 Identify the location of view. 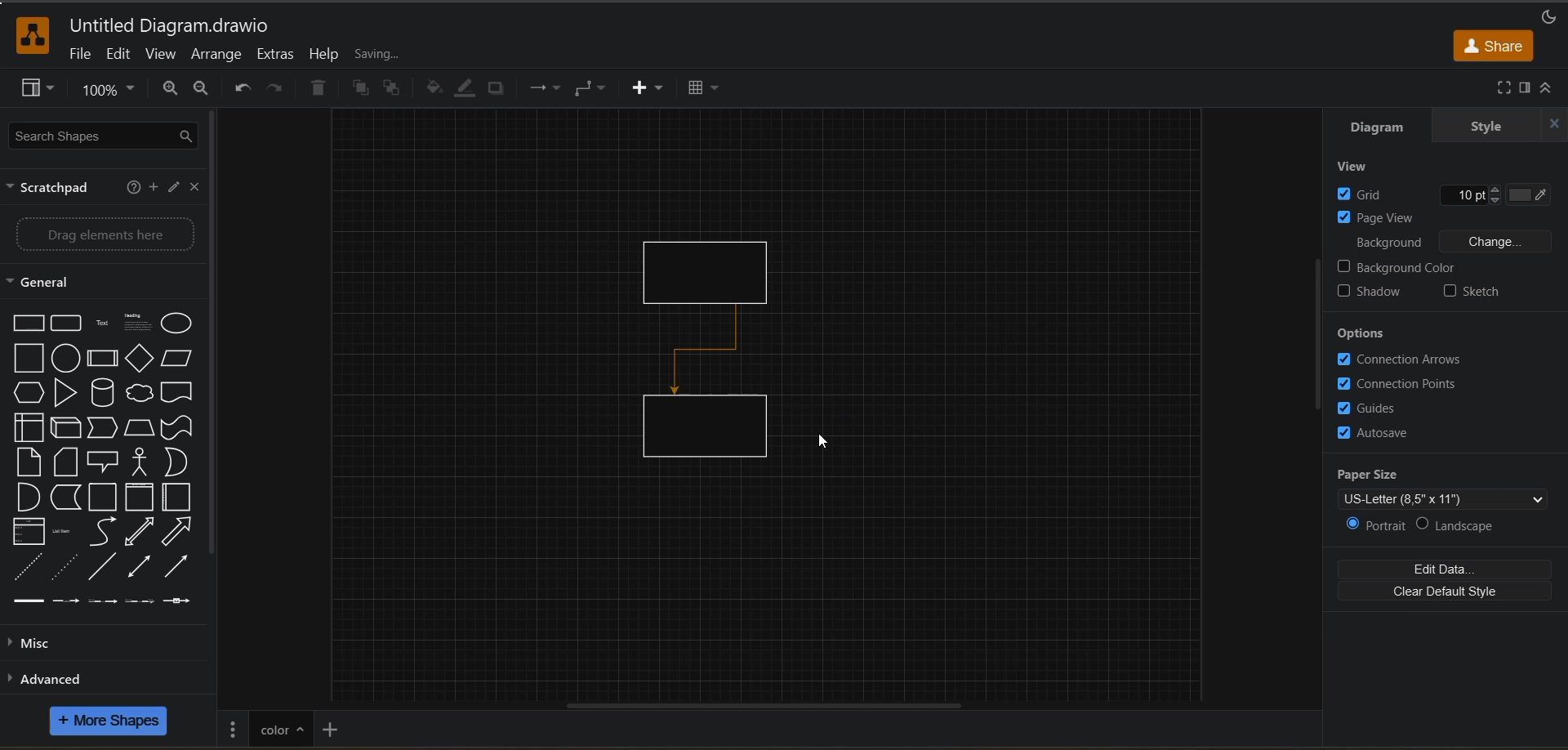
(40, 90).